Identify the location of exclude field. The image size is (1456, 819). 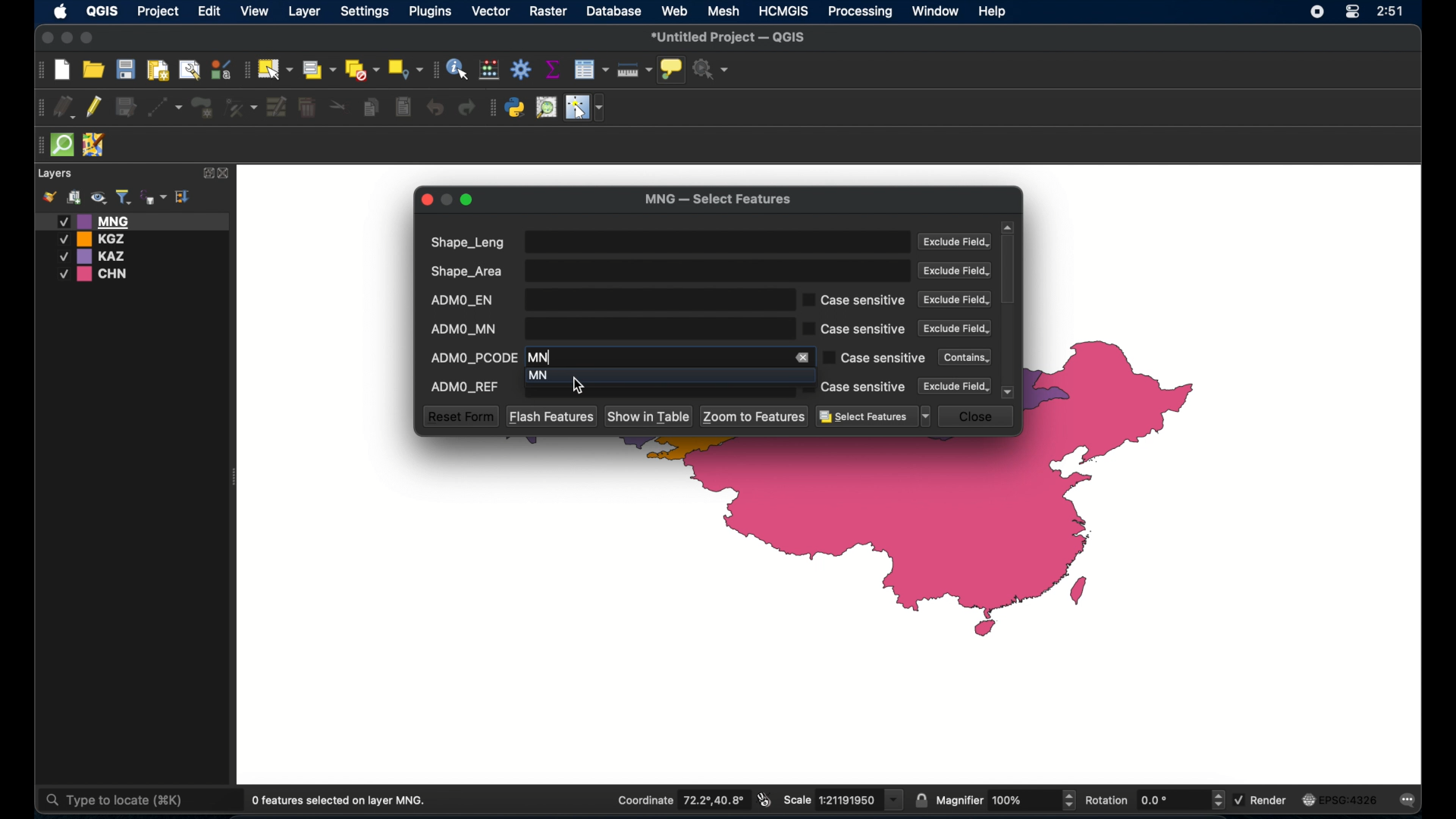
(956, 386).